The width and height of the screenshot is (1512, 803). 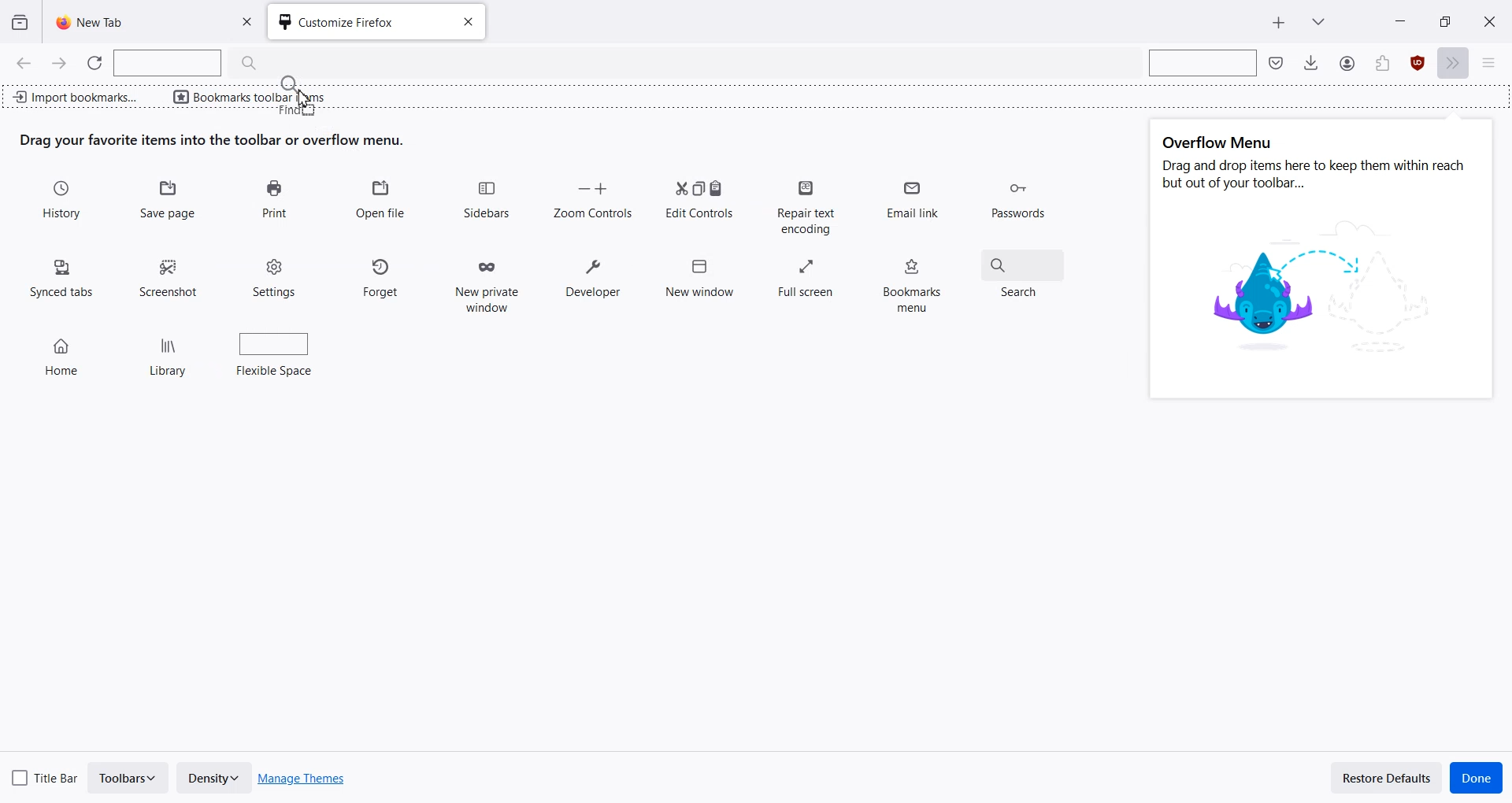 I want to click on New Tab, so click(x=134, y=22).